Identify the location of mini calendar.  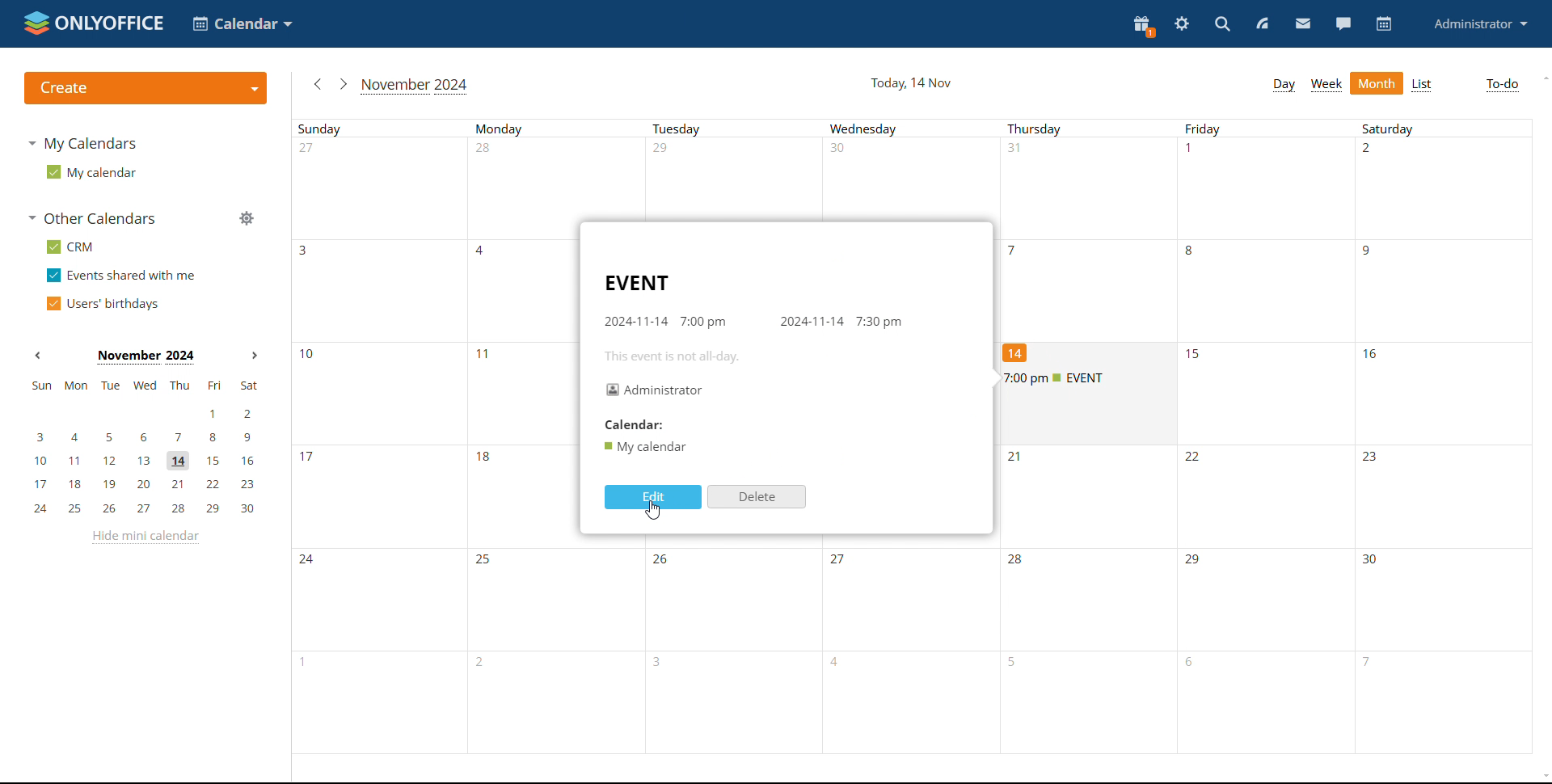
(145, 448).